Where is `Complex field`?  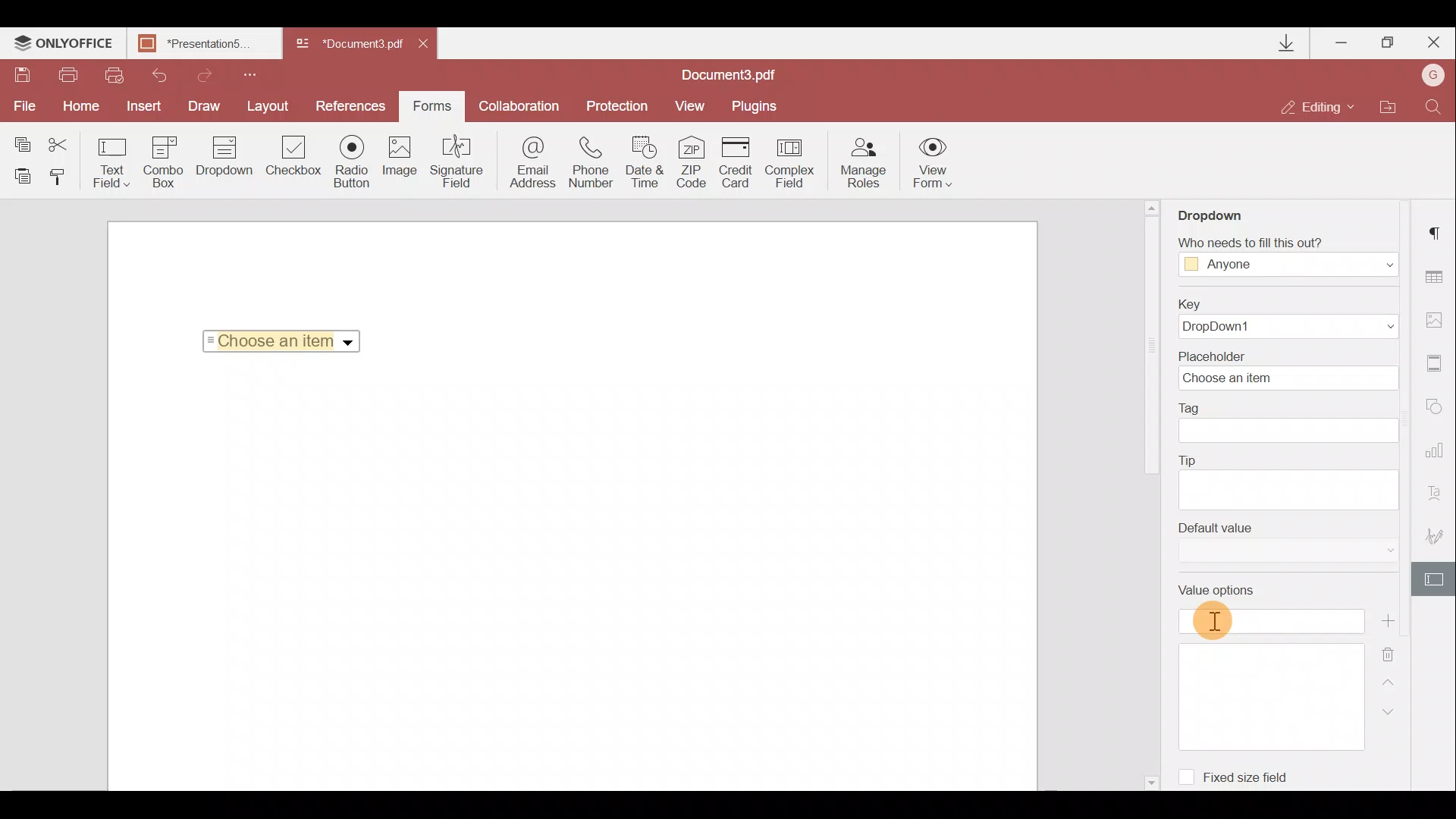
Complex field is located at coordinates (792, 162).